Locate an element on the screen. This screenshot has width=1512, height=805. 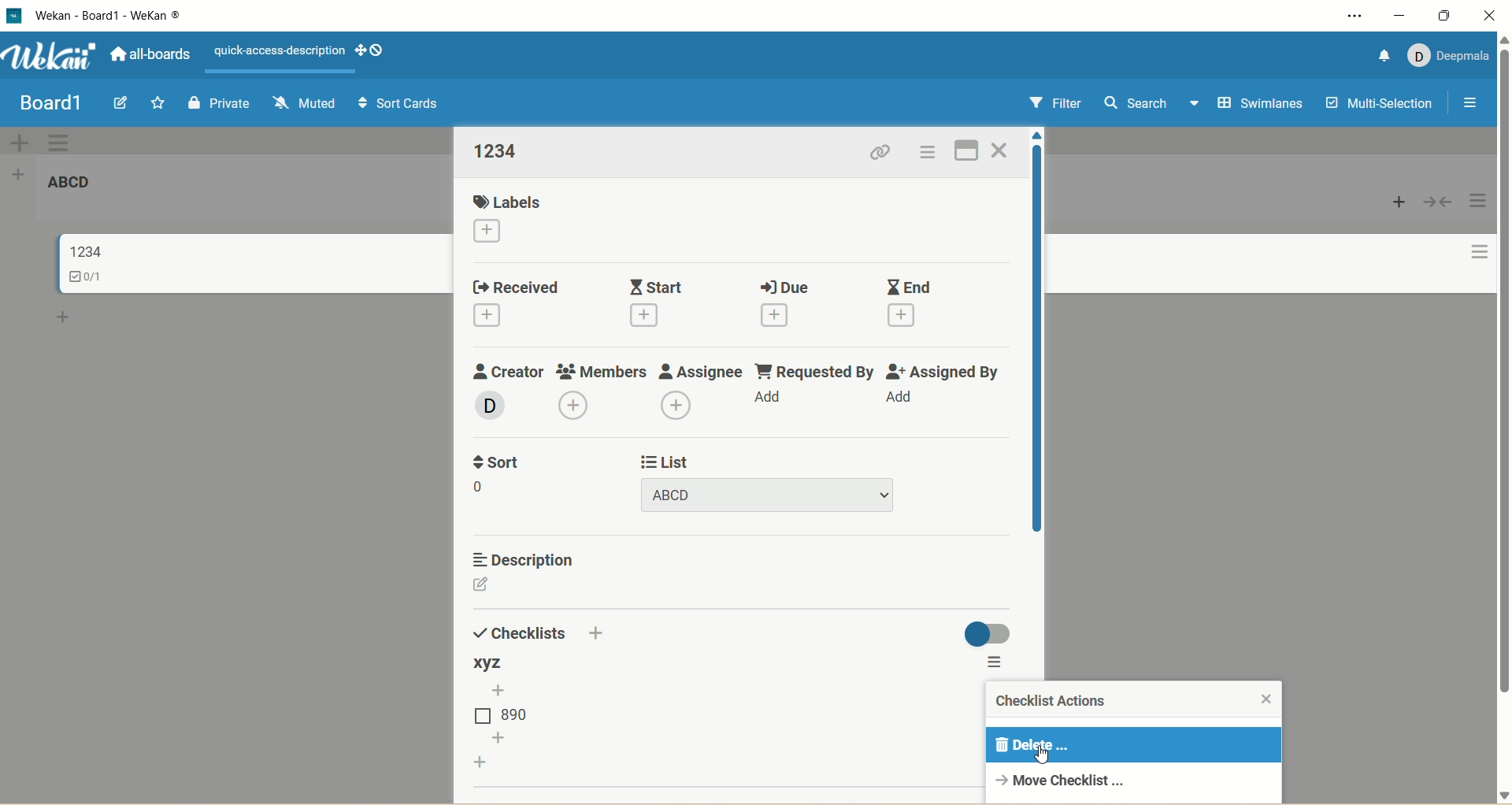
labels is located at coordinates (508, 199).